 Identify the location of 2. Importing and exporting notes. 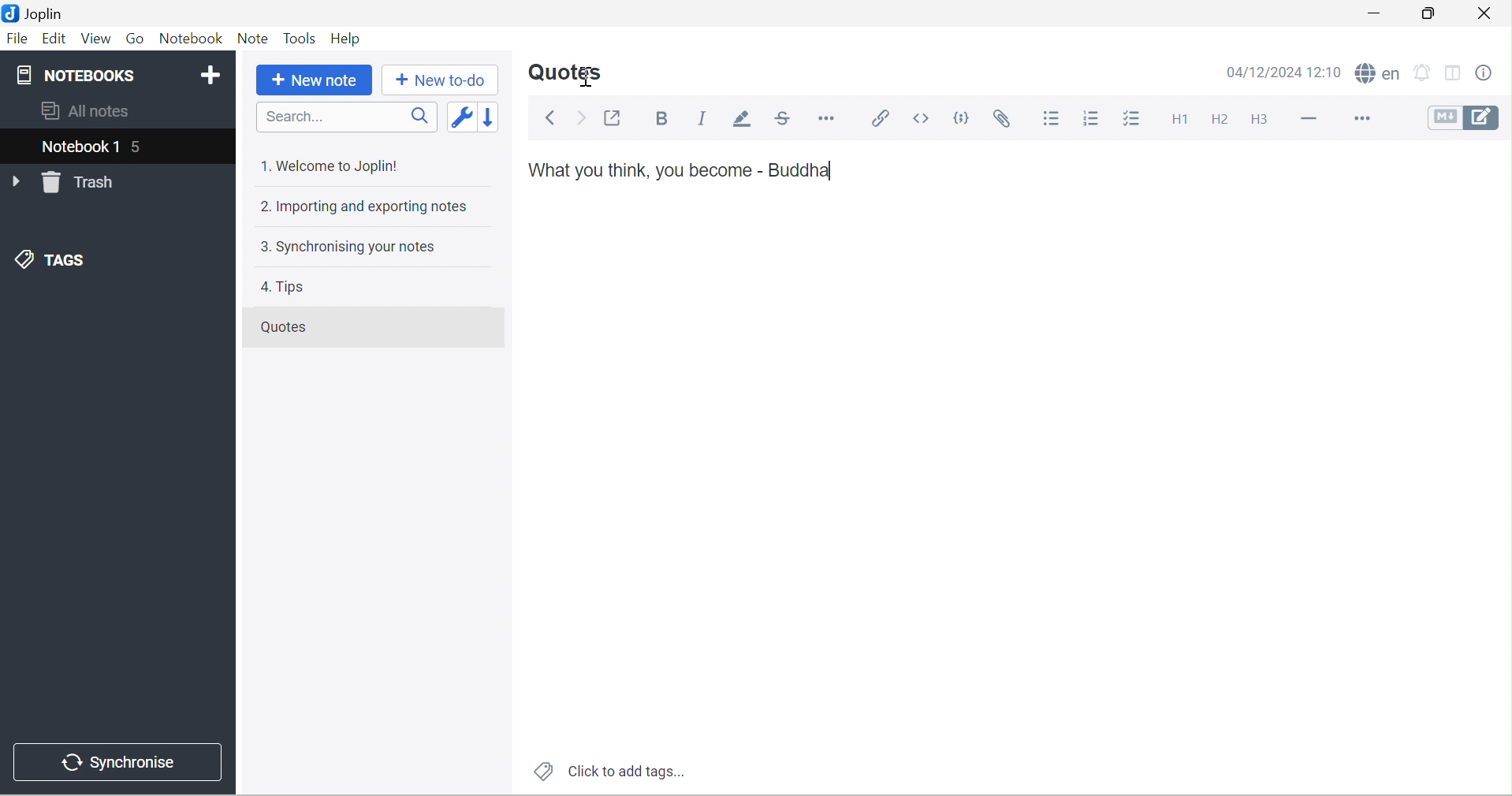
(367, 205).